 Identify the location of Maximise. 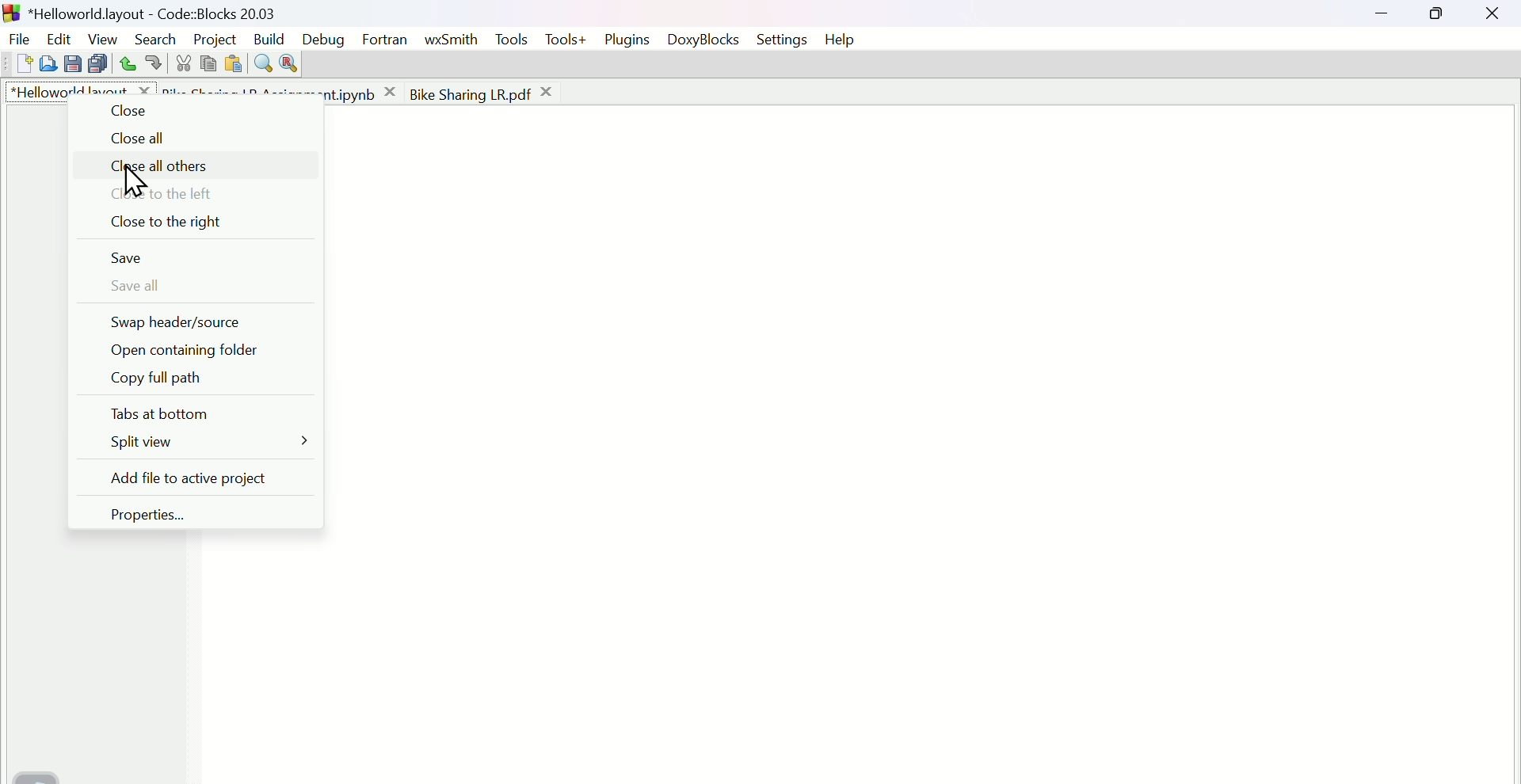
(1439, 18).